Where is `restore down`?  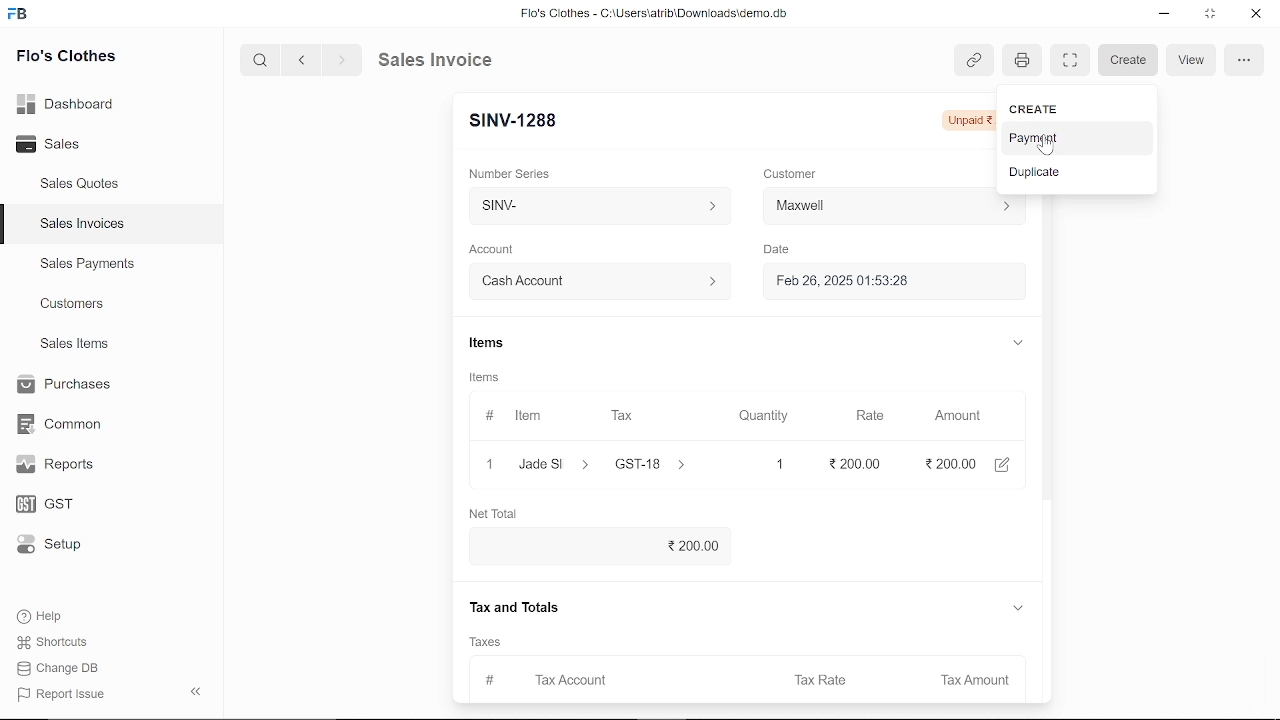 restore down is located at coordinates (1212, 15).